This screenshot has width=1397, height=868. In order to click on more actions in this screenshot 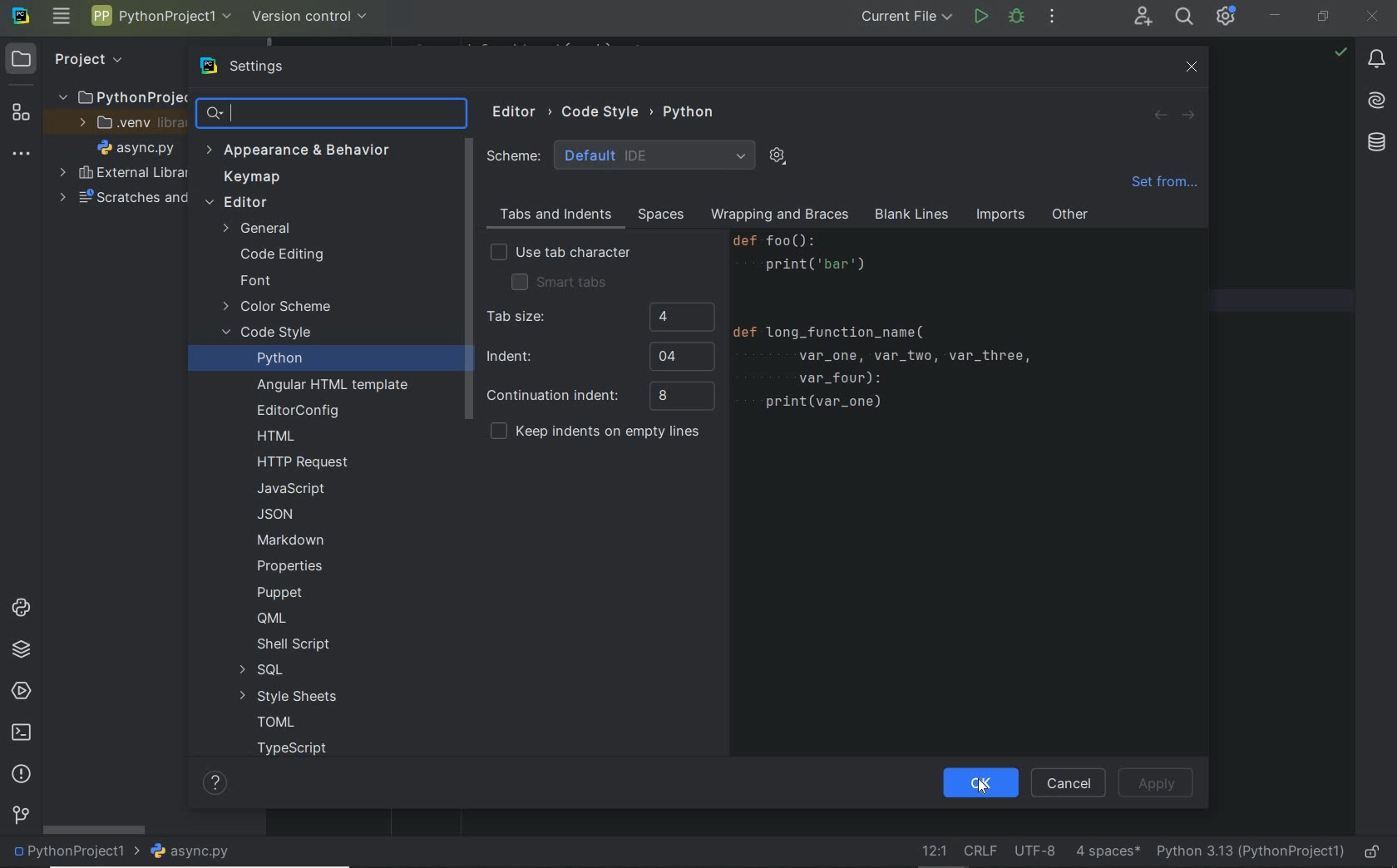, I will do `click(1052, 17)`.